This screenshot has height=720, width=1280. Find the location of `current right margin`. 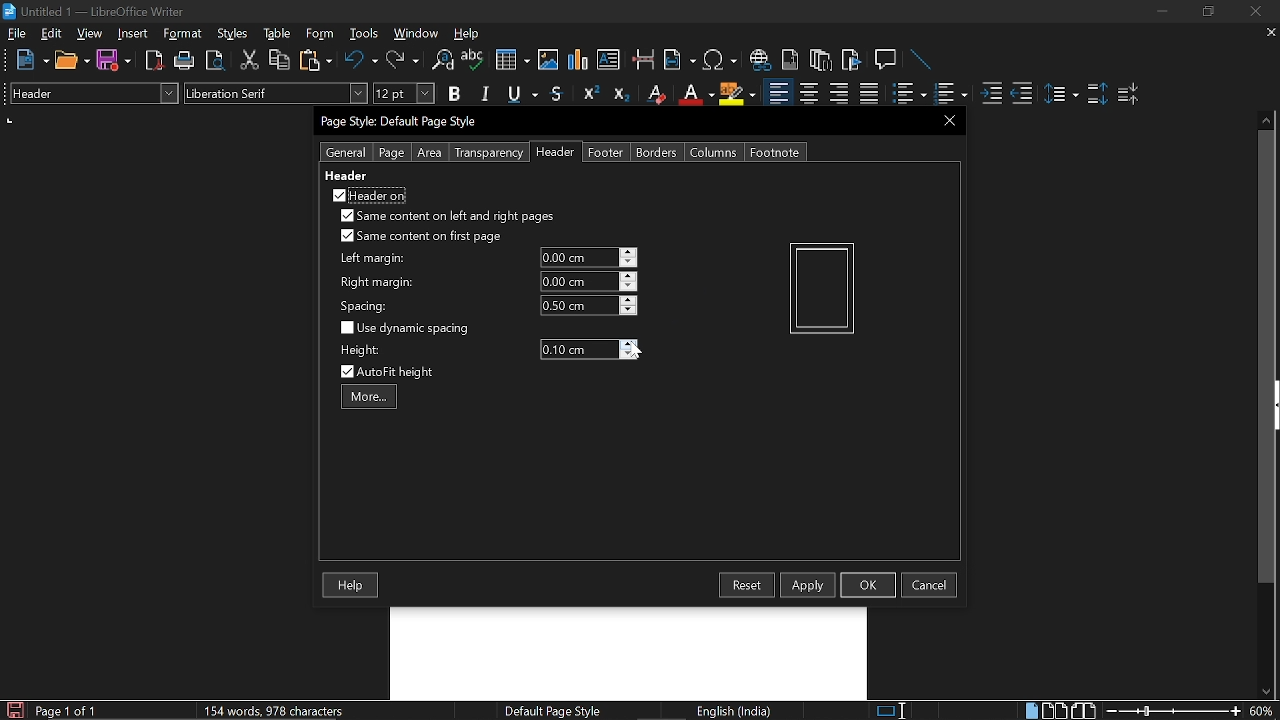

current right margin is located at coordinates (577, 281).